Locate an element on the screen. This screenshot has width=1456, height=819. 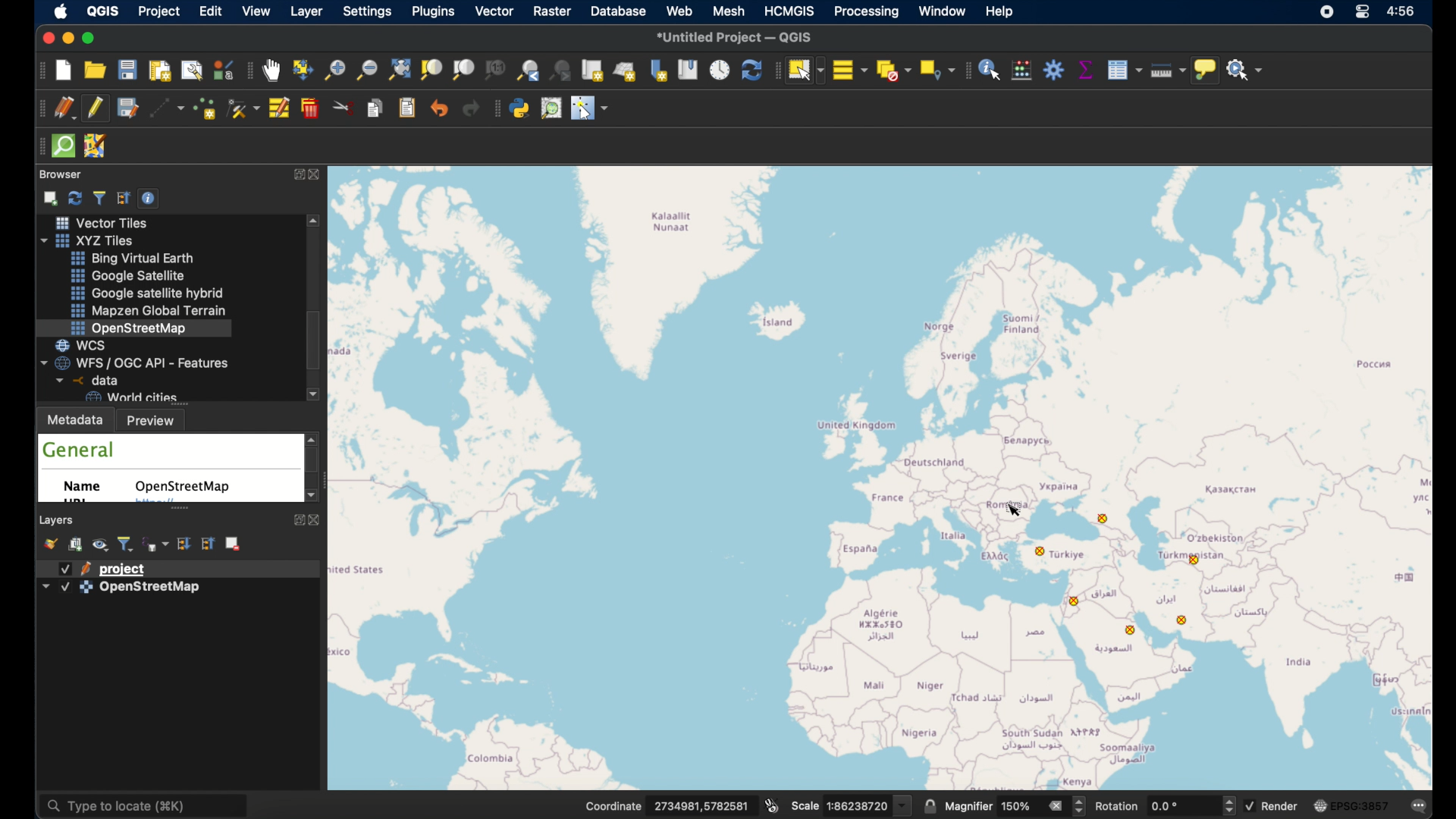
pan tool is located at coordinates (271, 71).